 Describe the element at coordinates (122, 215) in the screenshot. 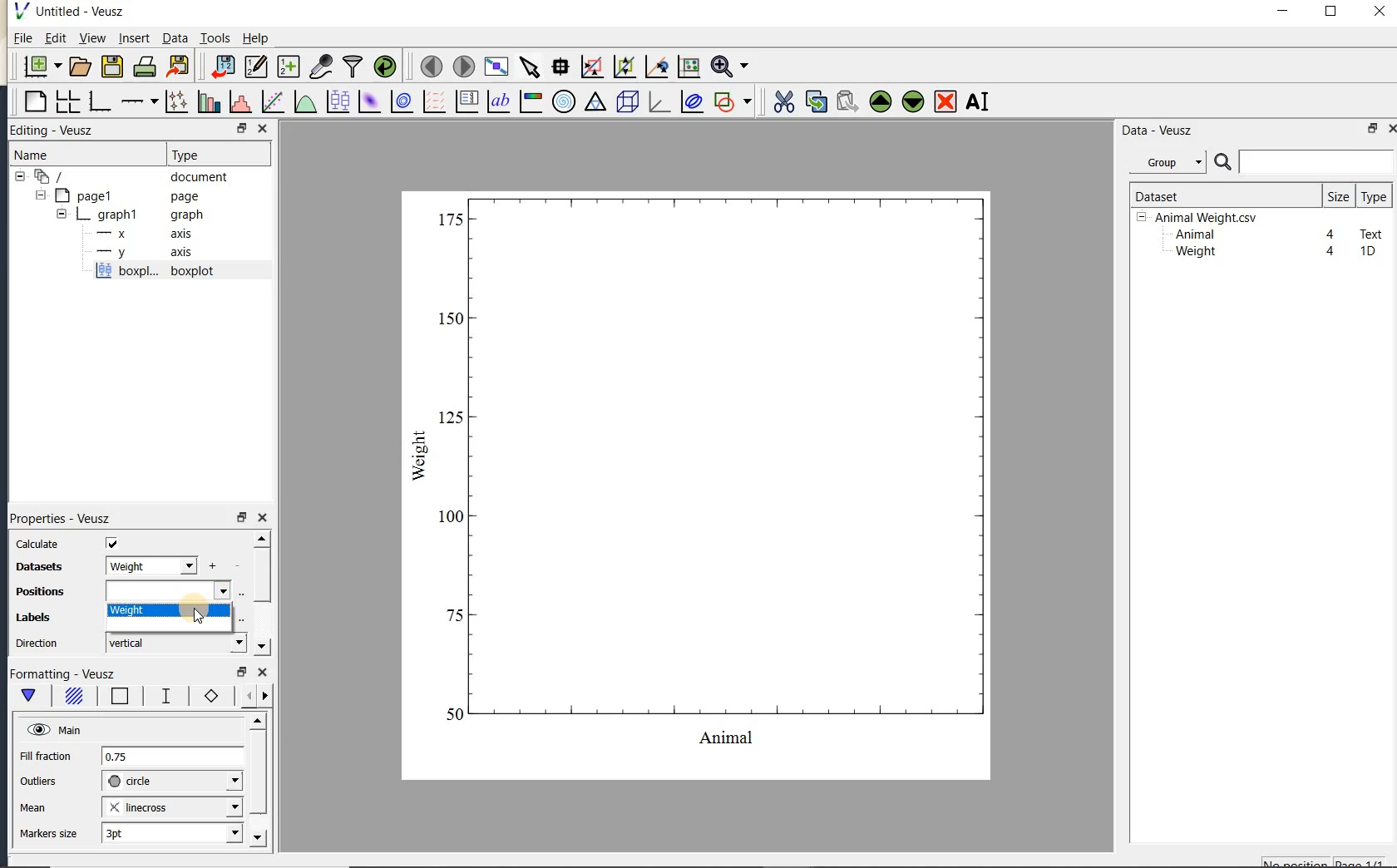

I see `graph1` at that location.